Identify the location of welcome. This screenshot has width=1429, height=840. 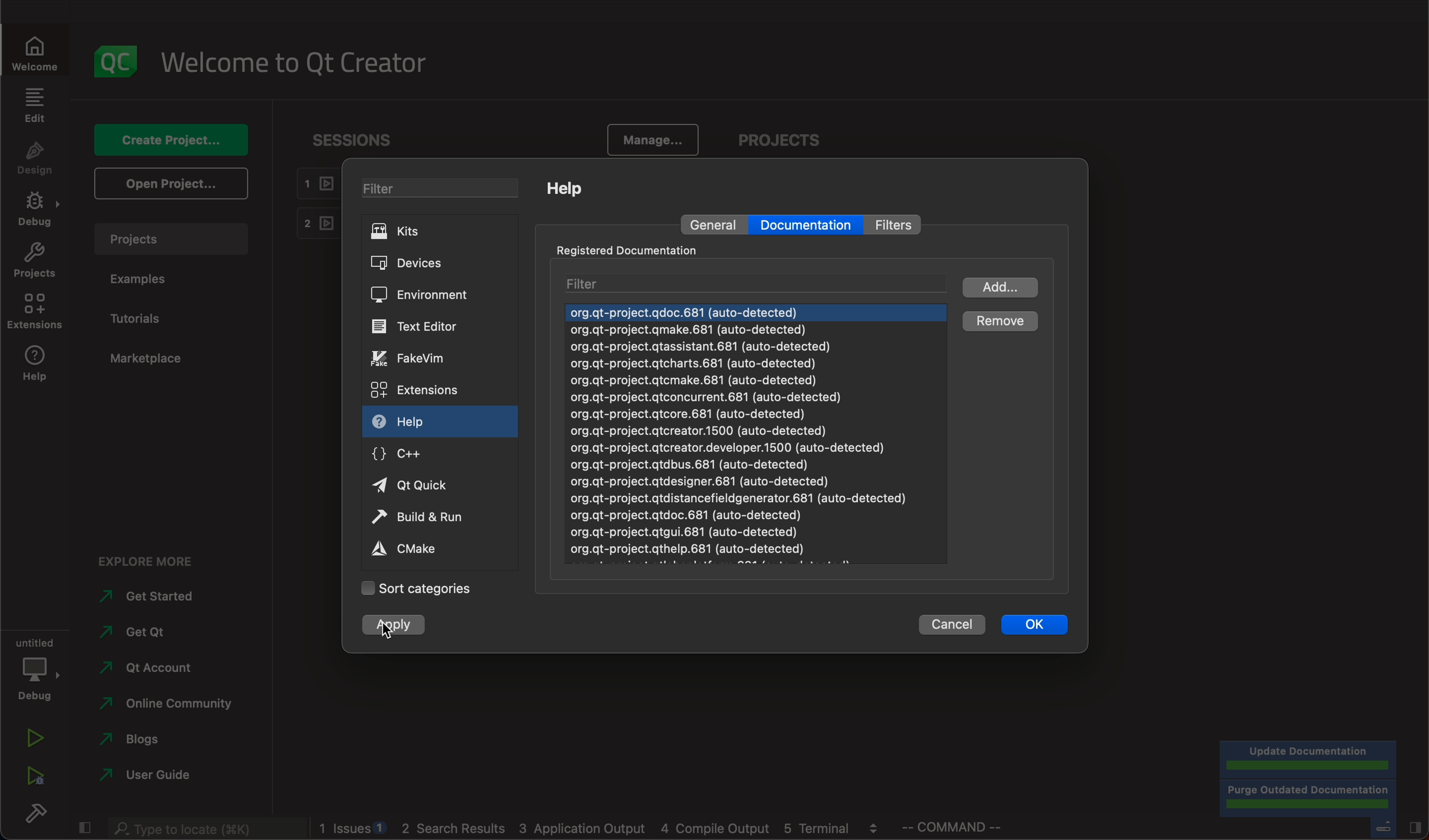
(294, 63).